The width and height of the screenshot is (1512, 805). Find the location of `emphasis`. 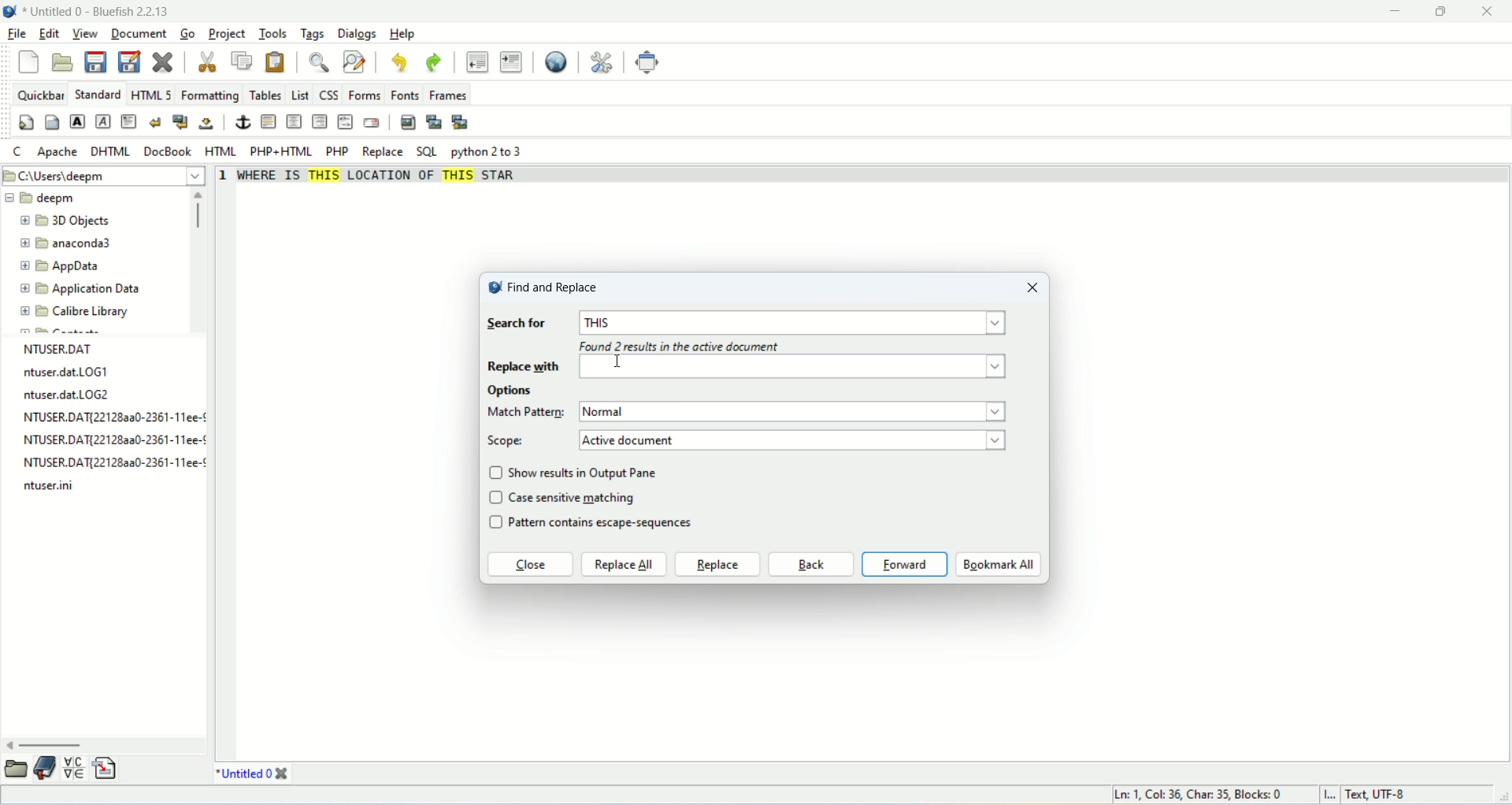

emphasis is located at coordinates (102, 121).